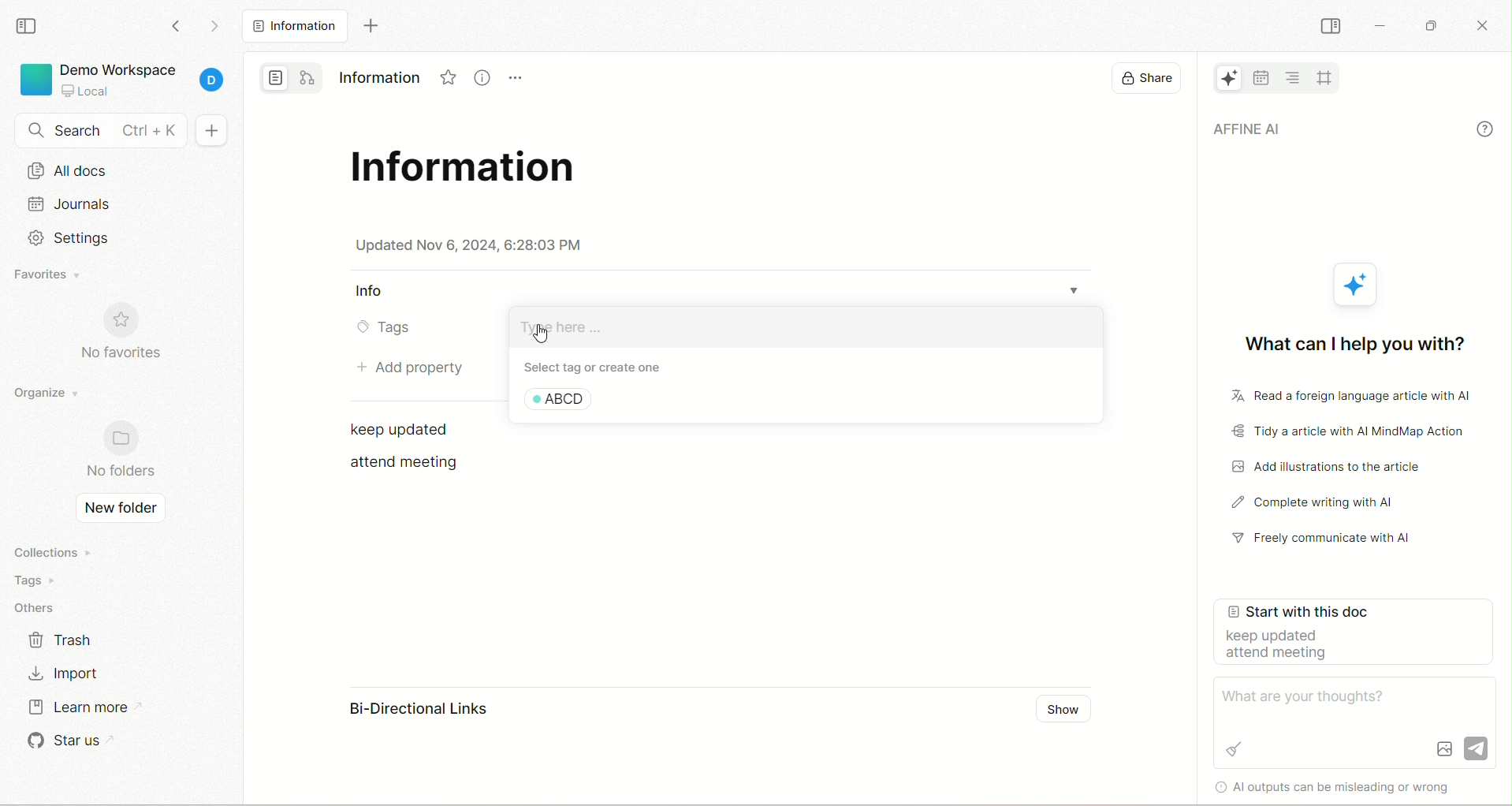  Describe the element at coordinates (43, 578) in the screenshot. I see `tags` at that location.